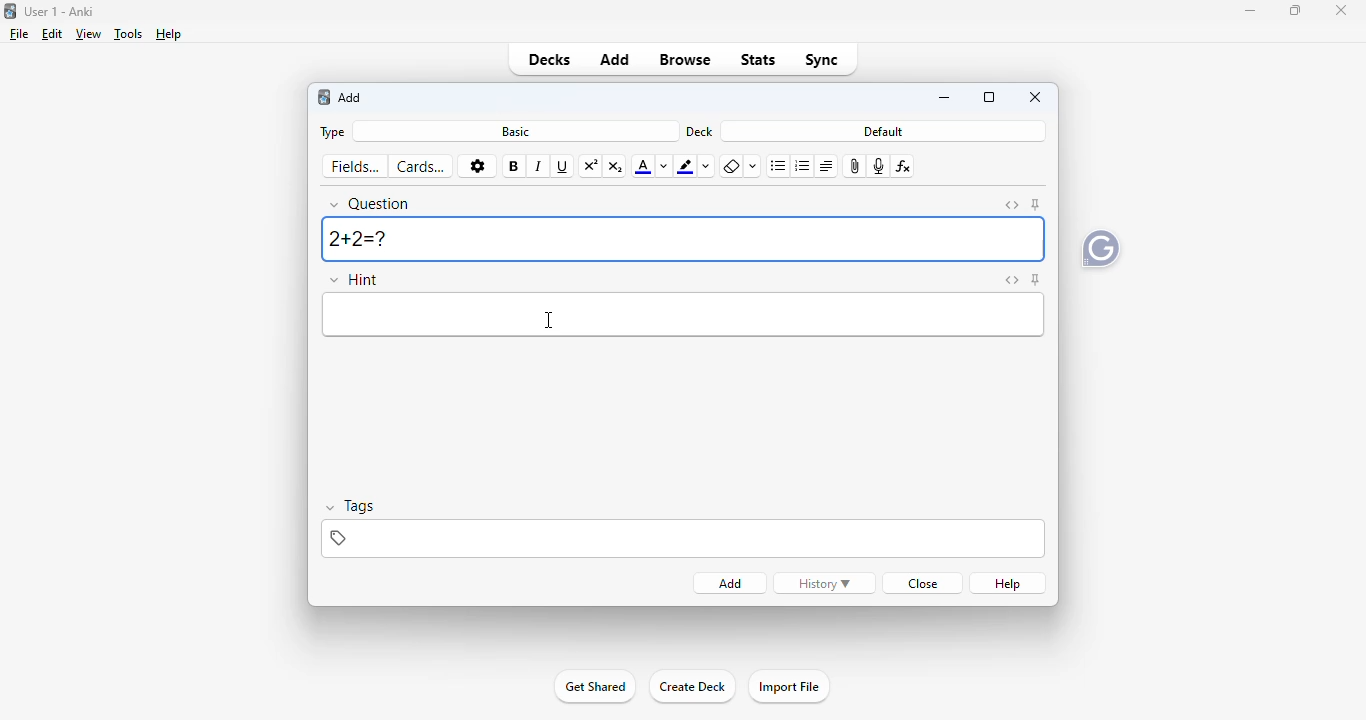 This screenshot has height=720, width=1366. What do you see at coordinates (422, 167) in the screenshot?
I see `cards` at bounding box center [422, 167].